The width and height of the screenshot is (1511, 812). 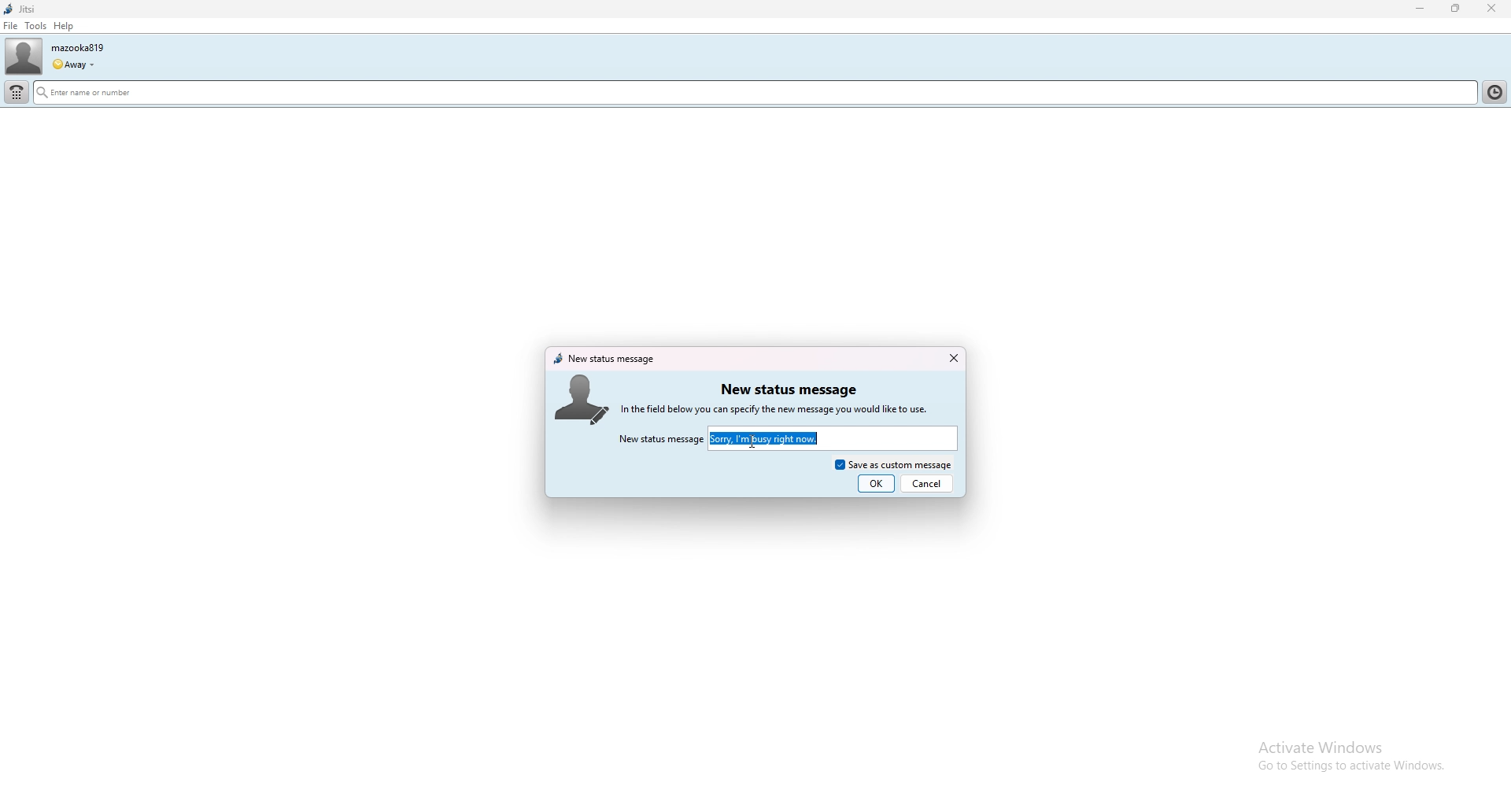 What do you see at coordinates (1457, 8) in the screenshot?
I see `resize` at bounding box center [1457, 8].